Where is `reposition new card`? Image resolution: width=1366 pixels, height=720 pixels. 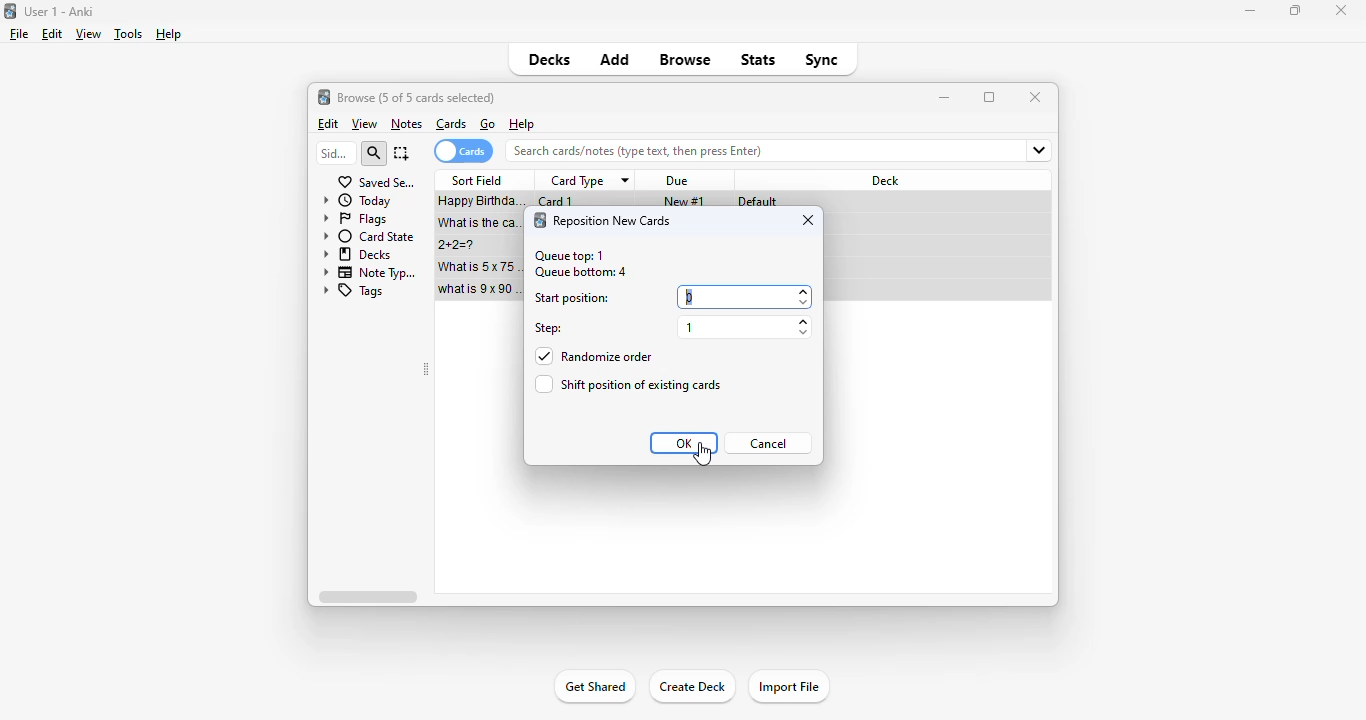
reposition new card is located at coordinates (613, 221).